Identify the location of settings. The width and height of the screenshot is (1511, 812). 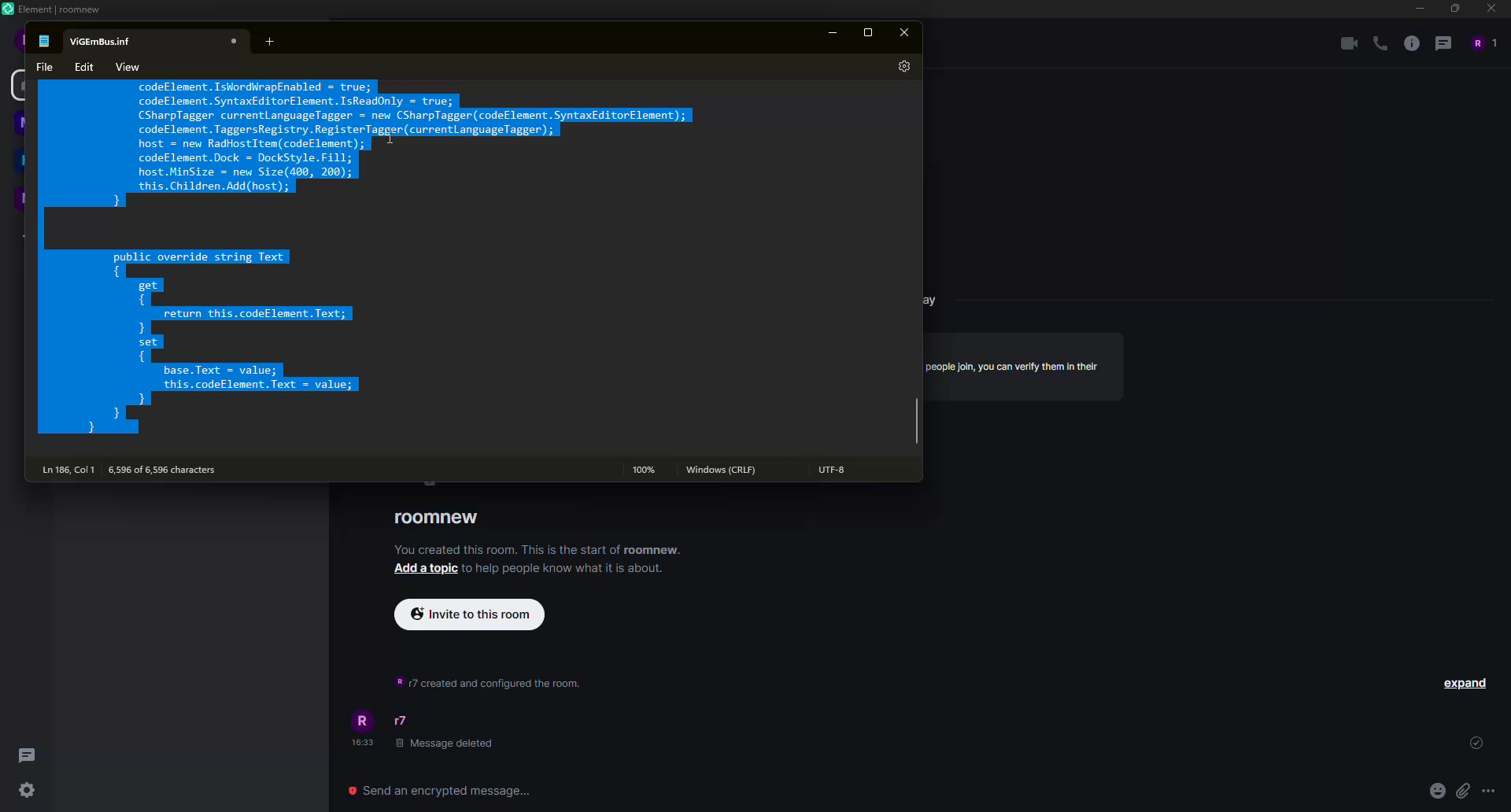
(902, 67).